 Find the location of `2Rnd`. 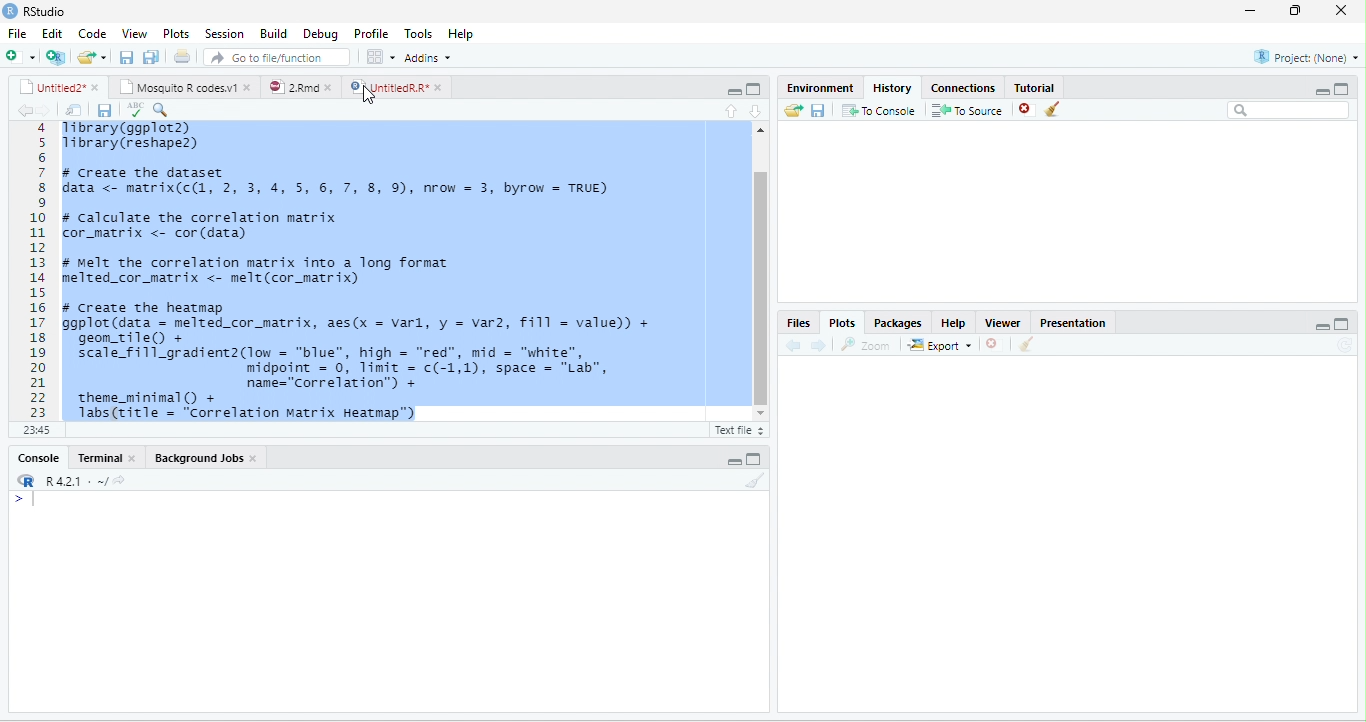

2Rnd is located at coordinates (295, 86).